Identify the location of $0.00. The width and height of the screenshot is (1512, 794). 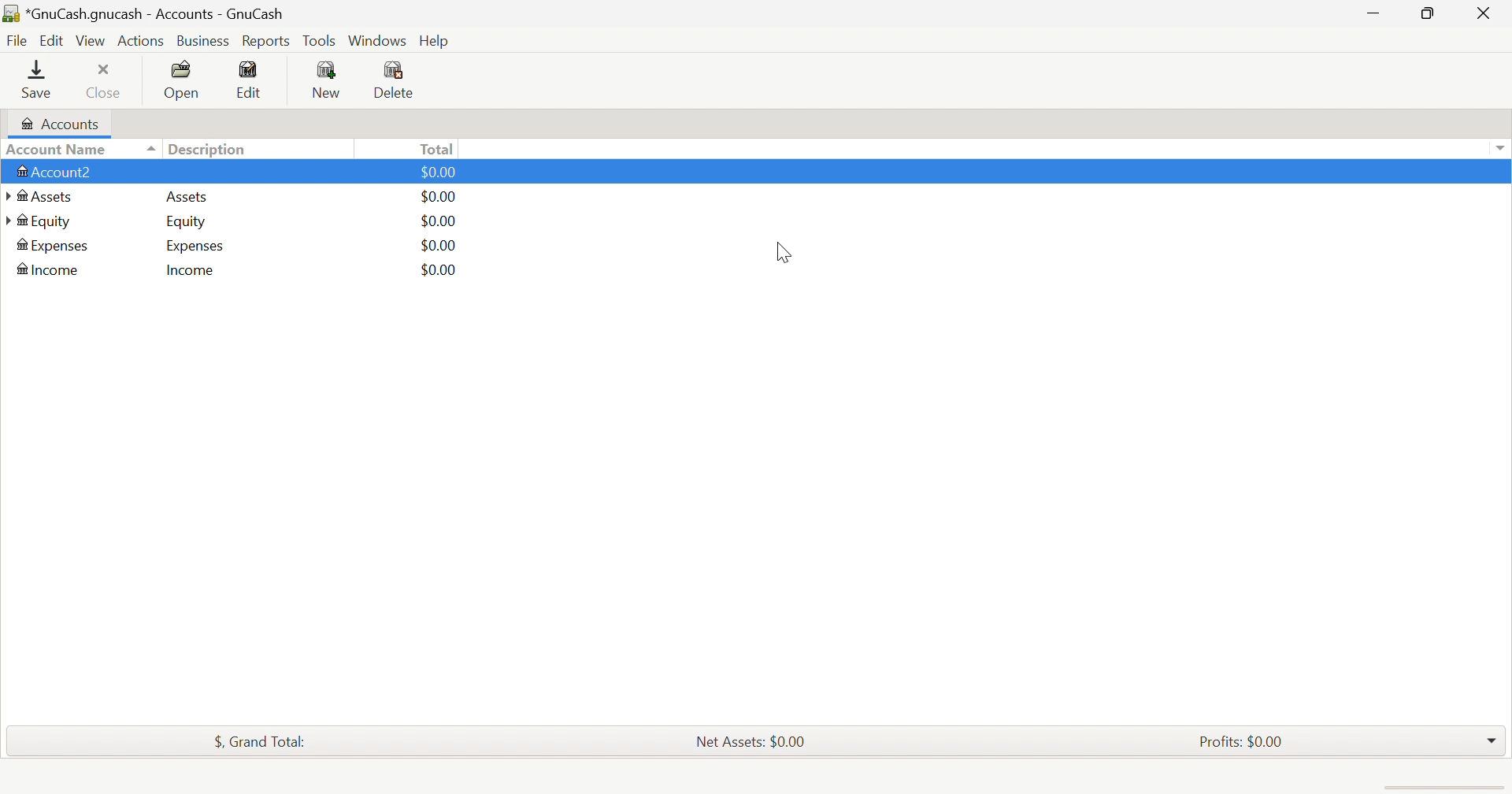
(438, 244).